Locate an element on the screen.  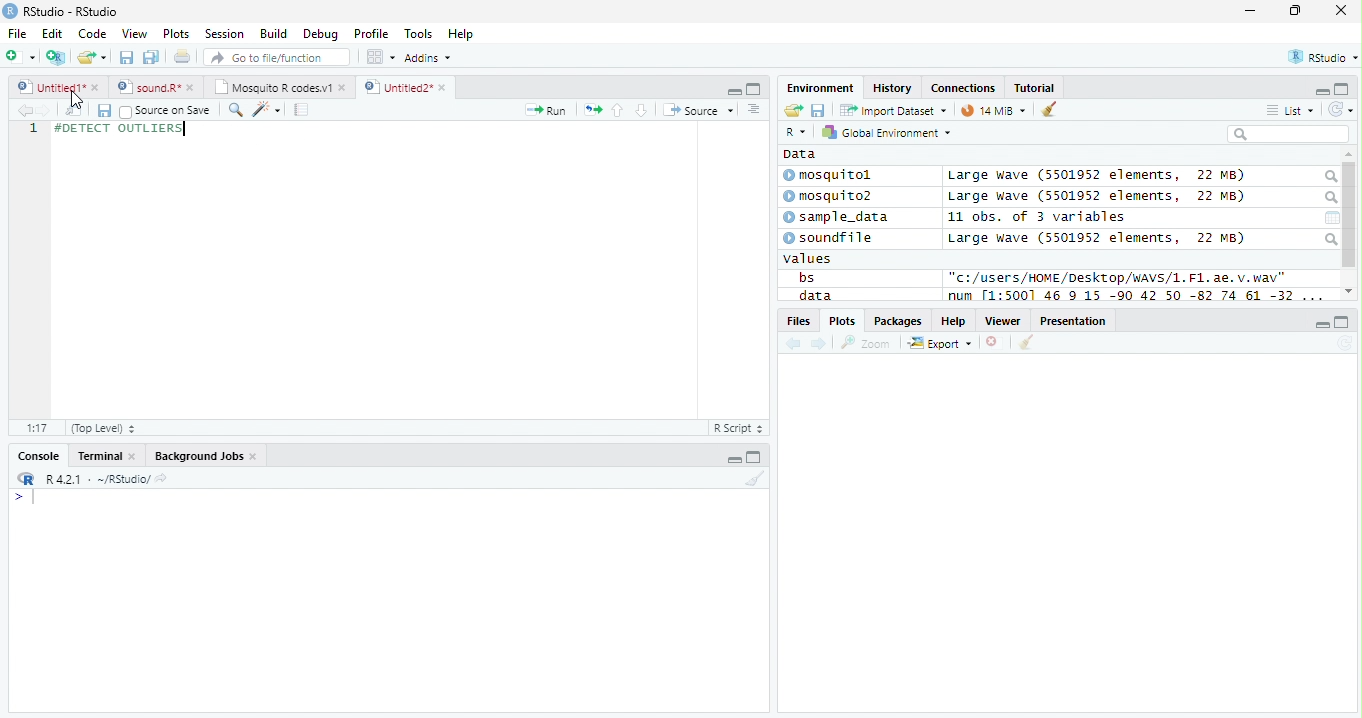
Tutorial is located at coordinates (1035, 89).